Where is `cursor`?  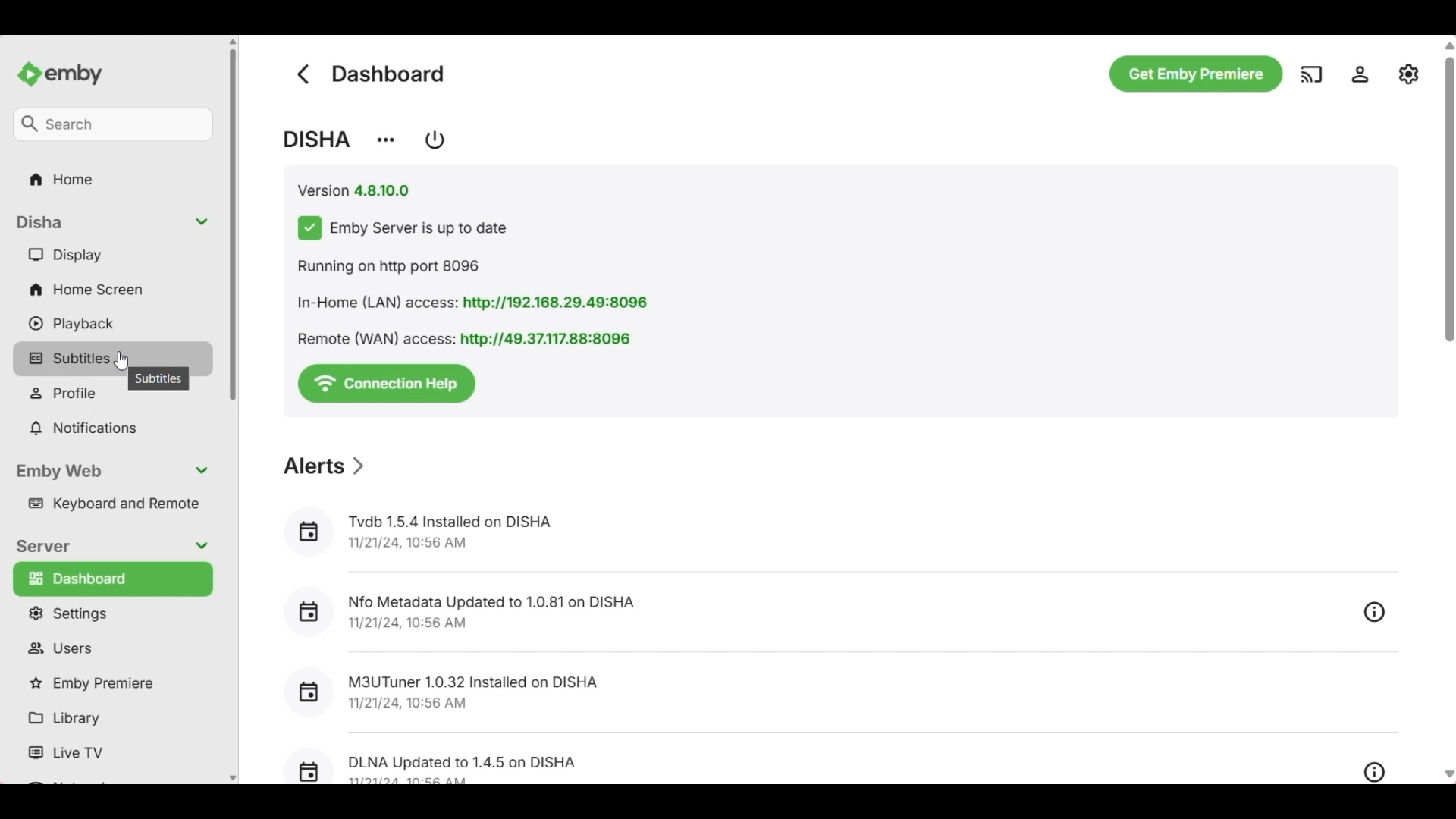 cursor is located at coordinates (121, 360).